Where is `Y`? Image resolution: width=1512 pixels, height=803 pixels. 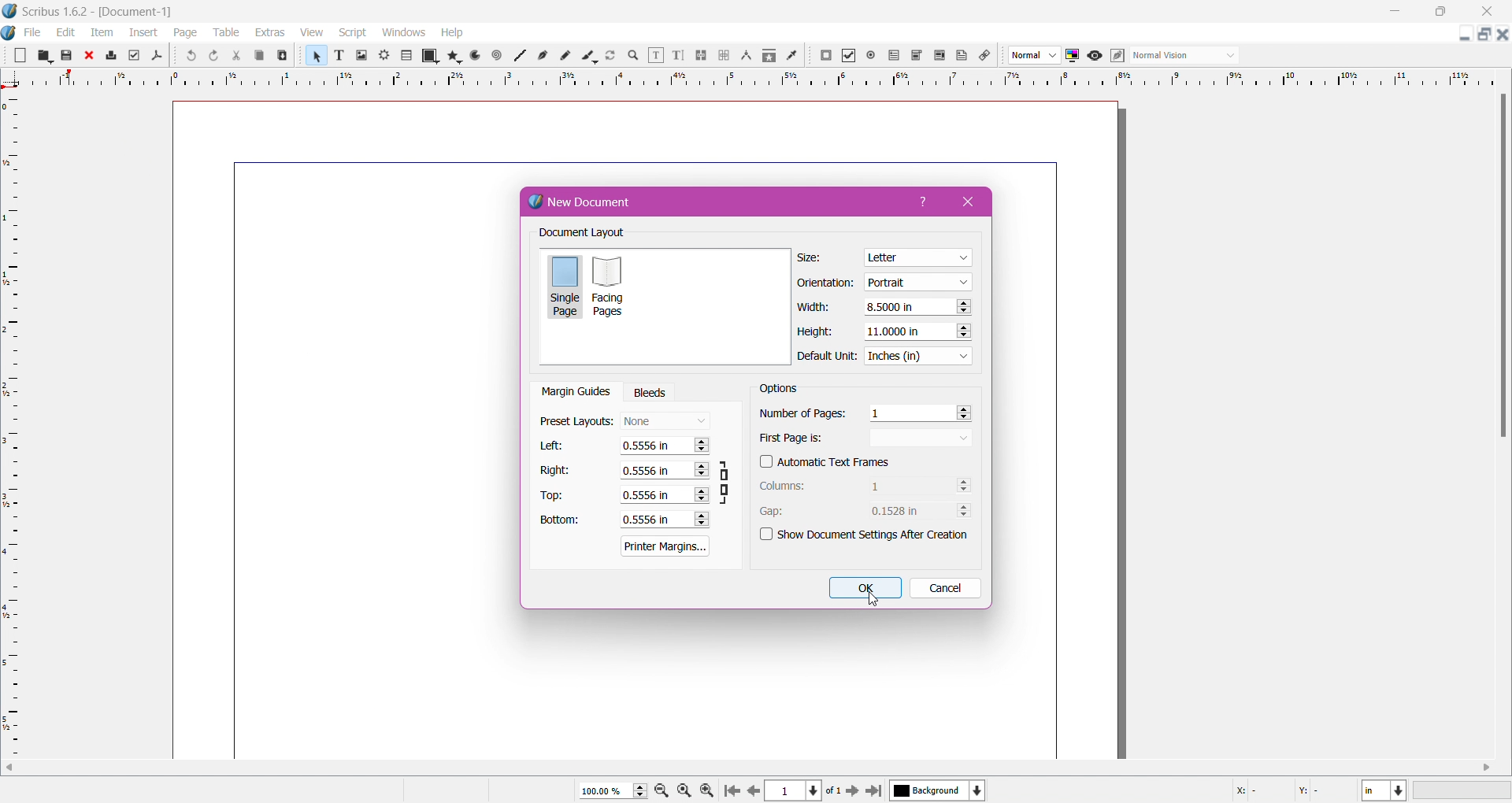 Y is located at coordinates (1312, 793).